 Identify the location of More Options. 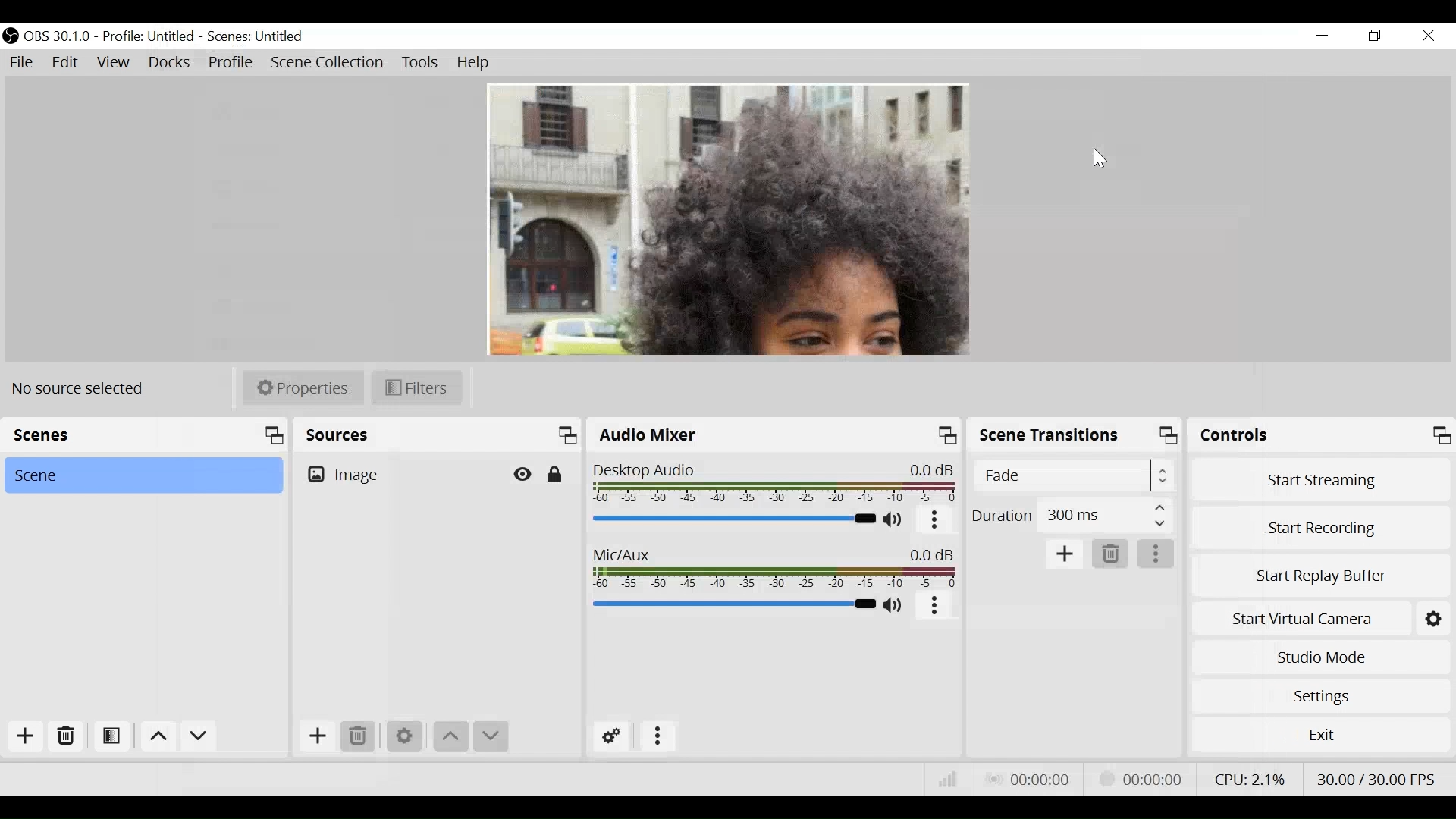
(935, 608).